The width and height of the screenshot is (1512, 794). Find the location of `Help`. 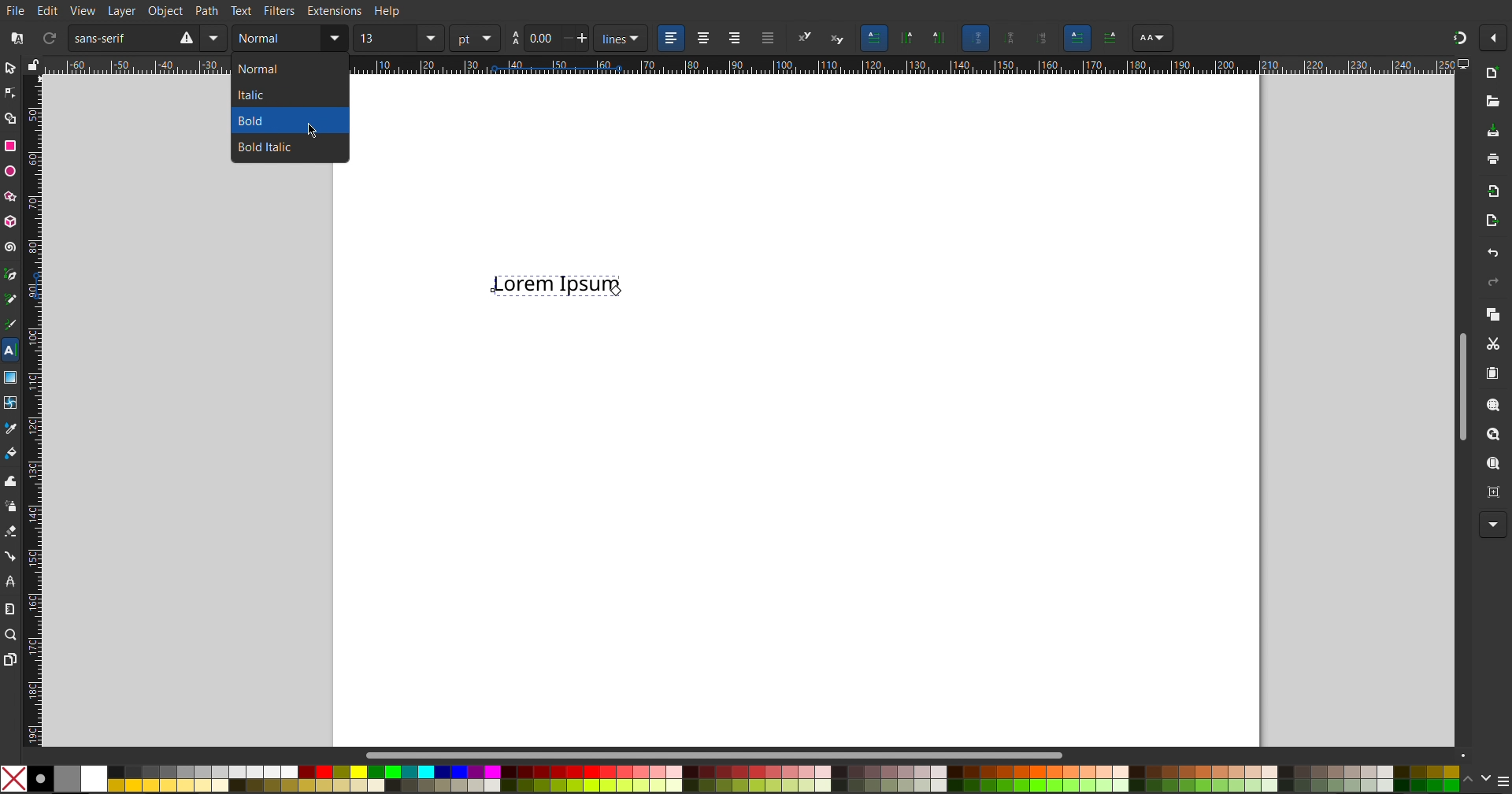

Help is located at coordinates (386, 12).